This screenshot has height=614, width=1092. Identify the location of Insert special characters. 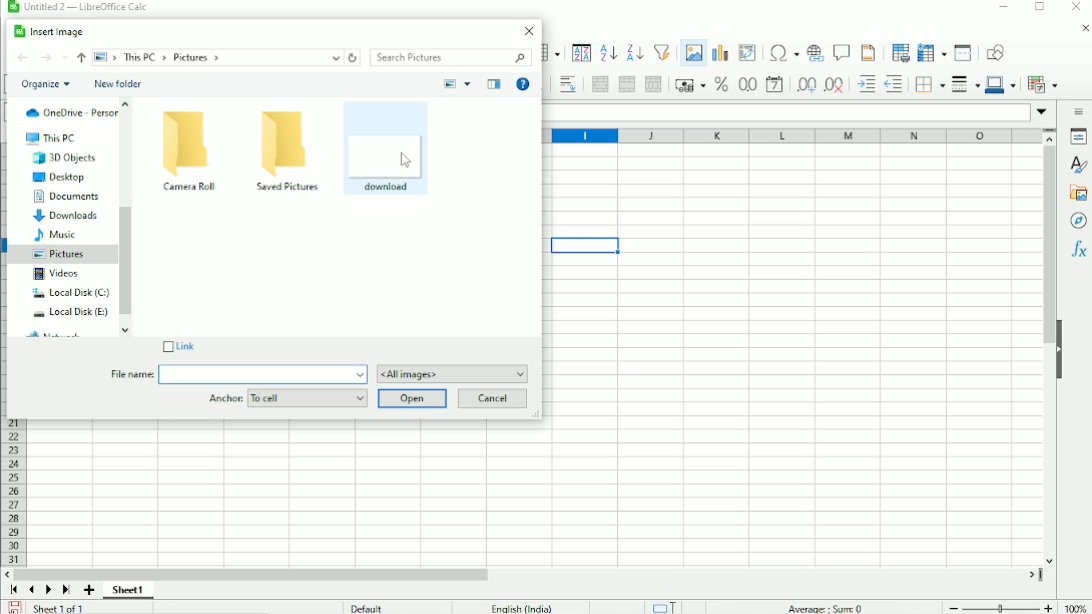
(782, 53).